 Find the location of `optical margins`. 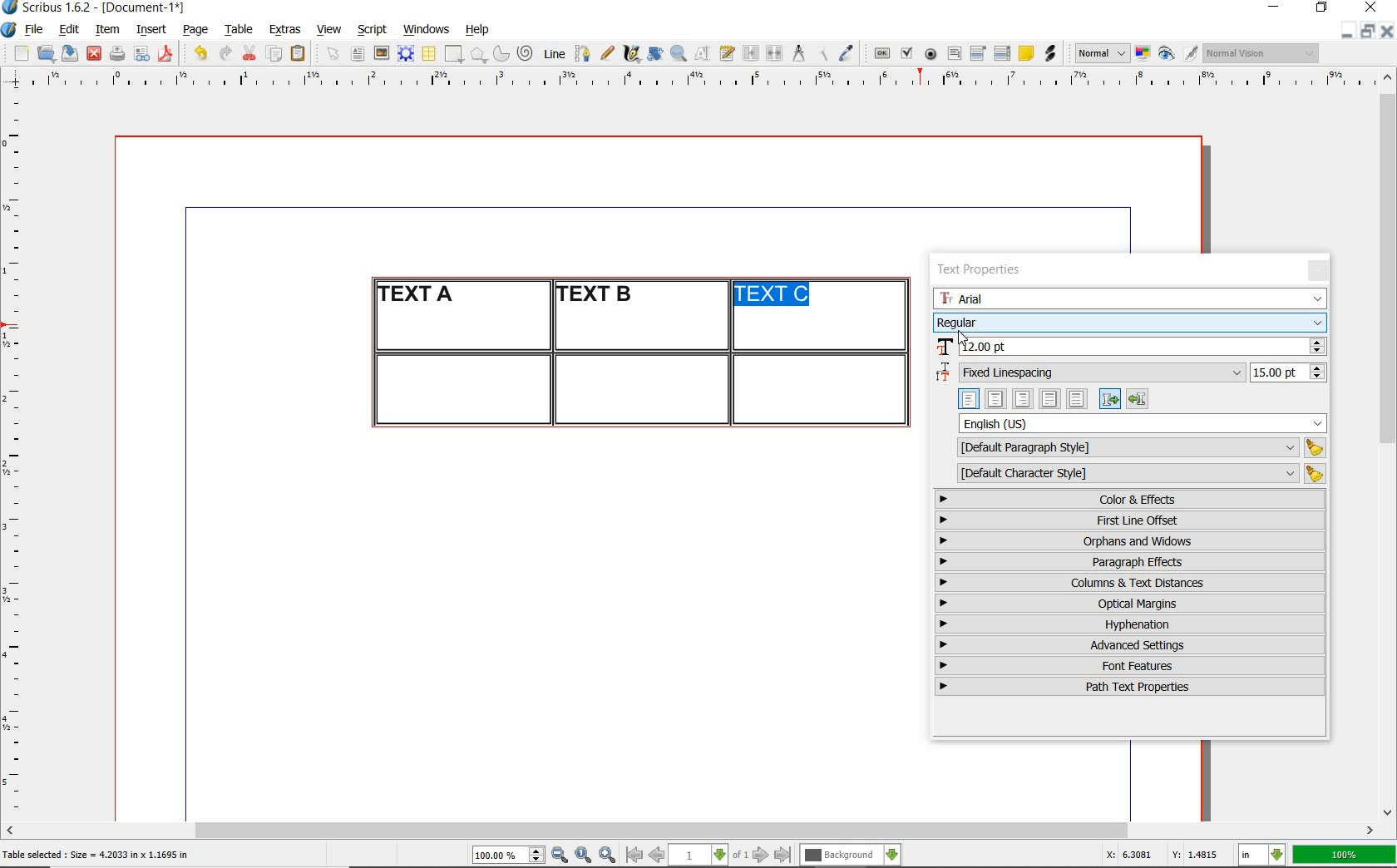

optical margins is located at coordinates (1131, 604).